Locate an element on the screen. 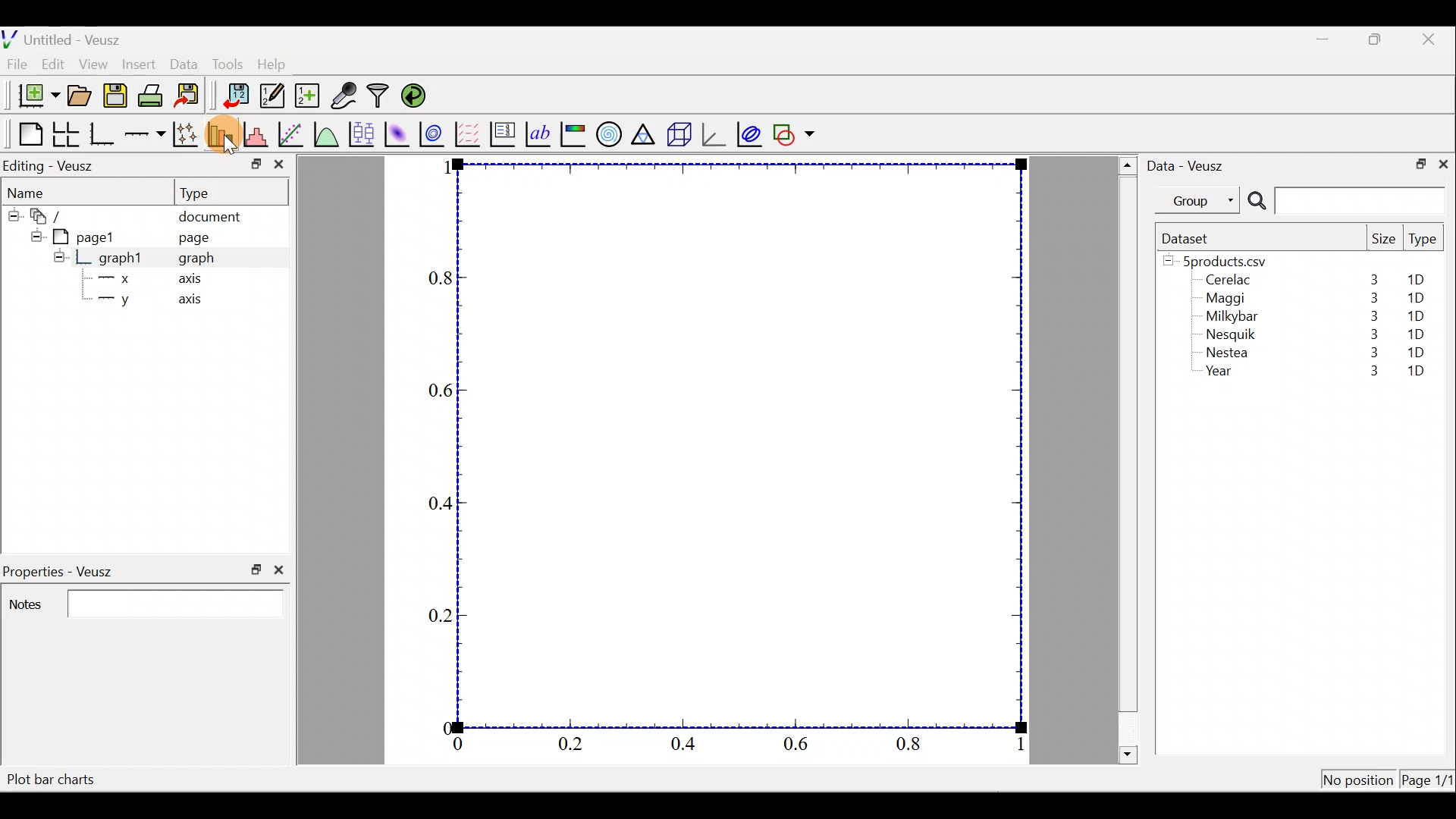  Add an axis to the plot is located at coordinates (148, 134).